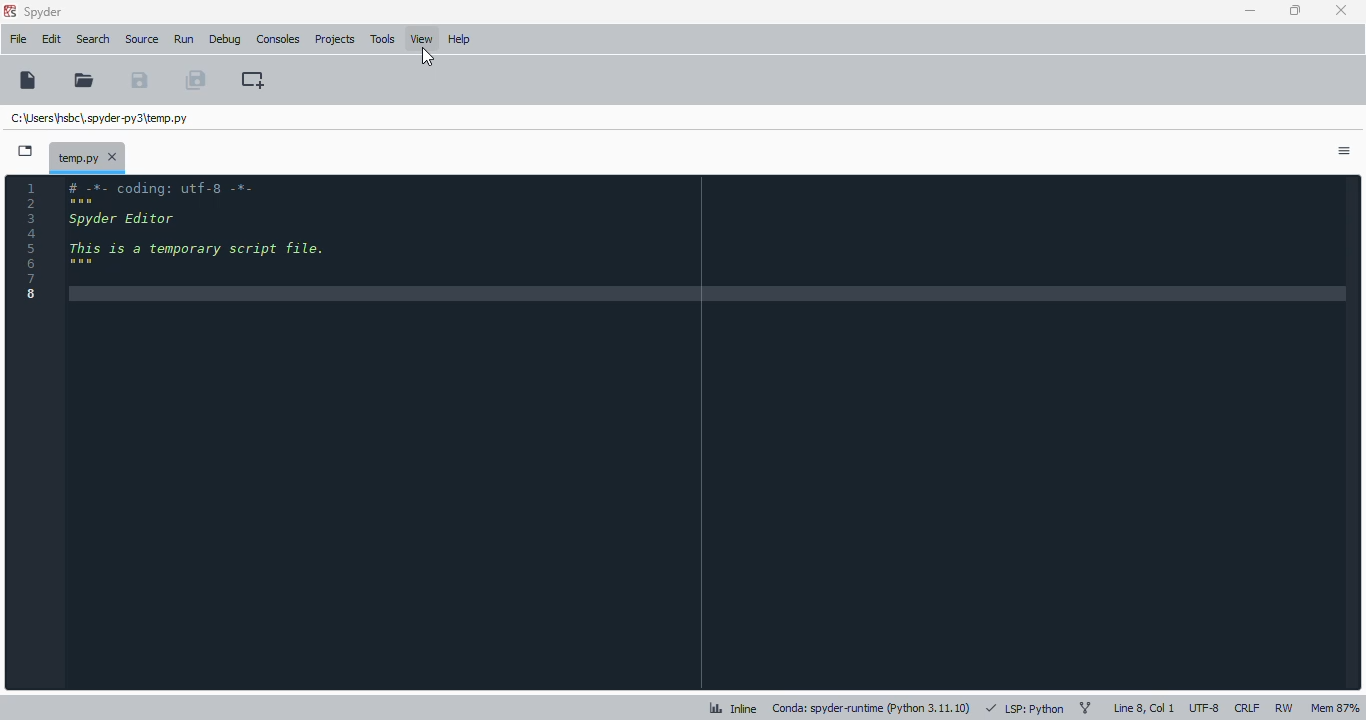 The height and width of the screenshot is (720, 1366). I want to click on options, so click(1344, 151).